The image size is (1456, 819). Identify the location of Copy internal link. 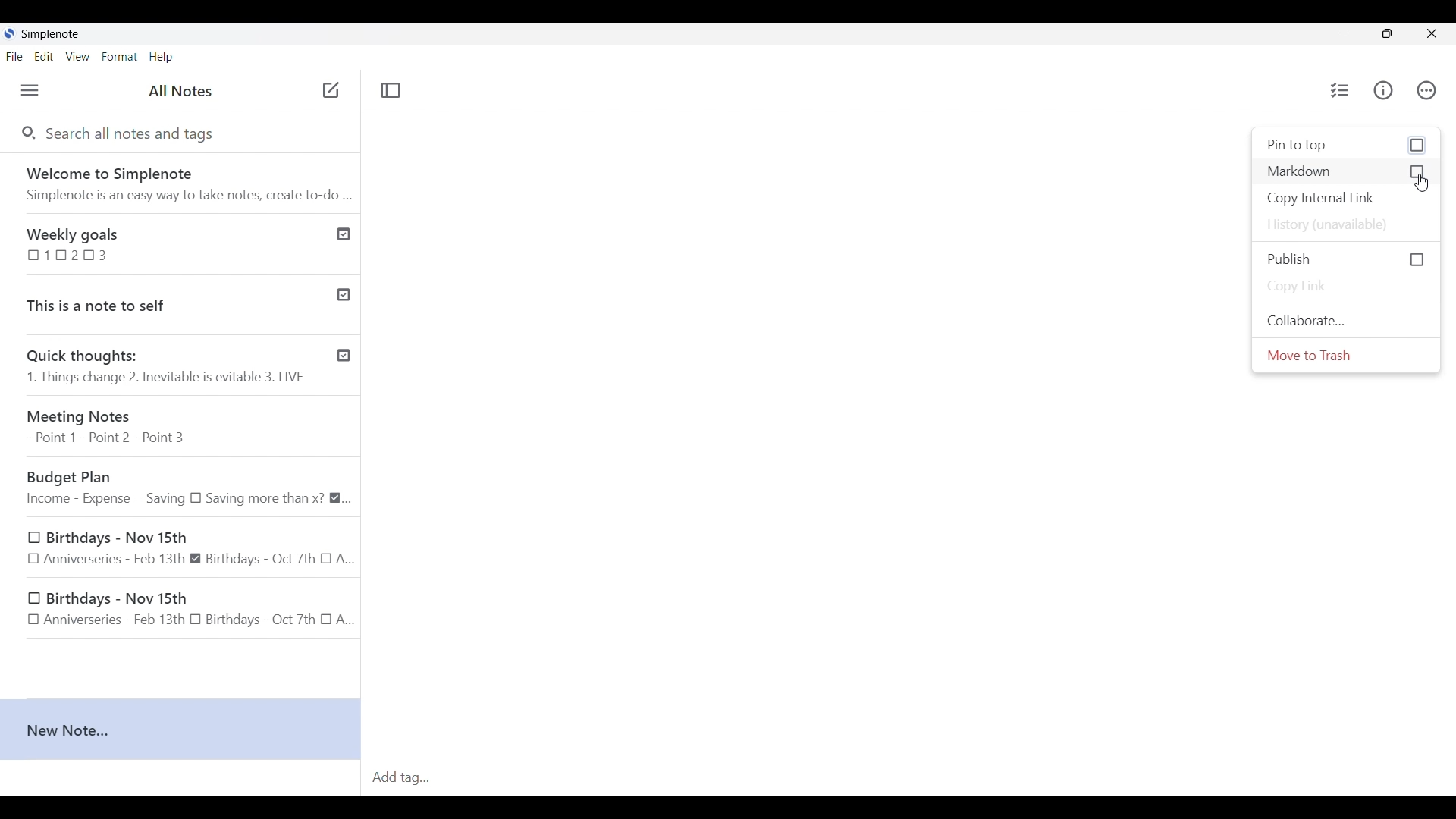
(1346, 199).